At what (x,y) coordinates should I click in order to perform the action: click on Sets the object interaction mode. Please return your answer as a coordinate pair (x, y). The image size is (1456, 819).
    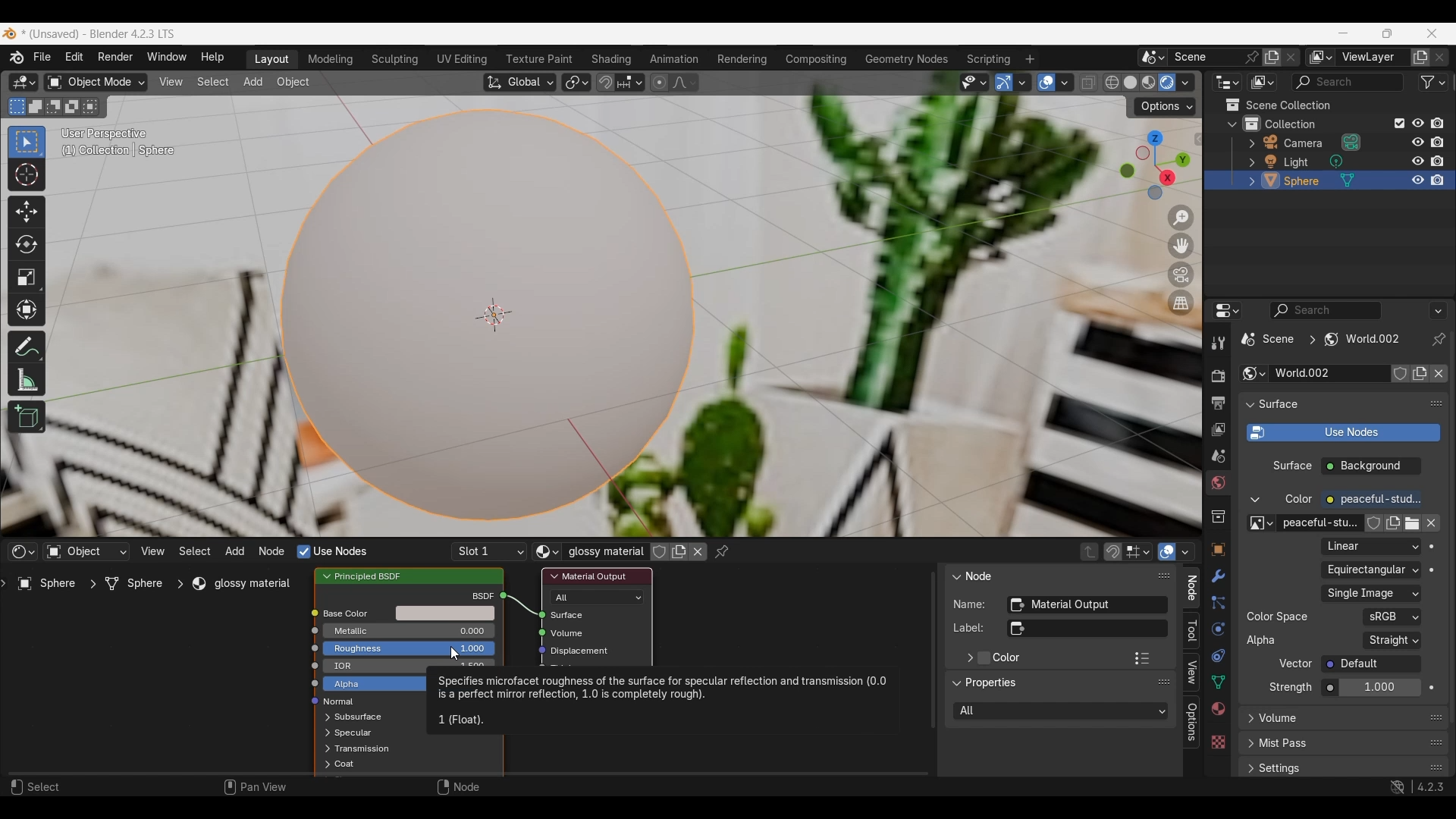
    Looking at the image, I should click on (96, 82).